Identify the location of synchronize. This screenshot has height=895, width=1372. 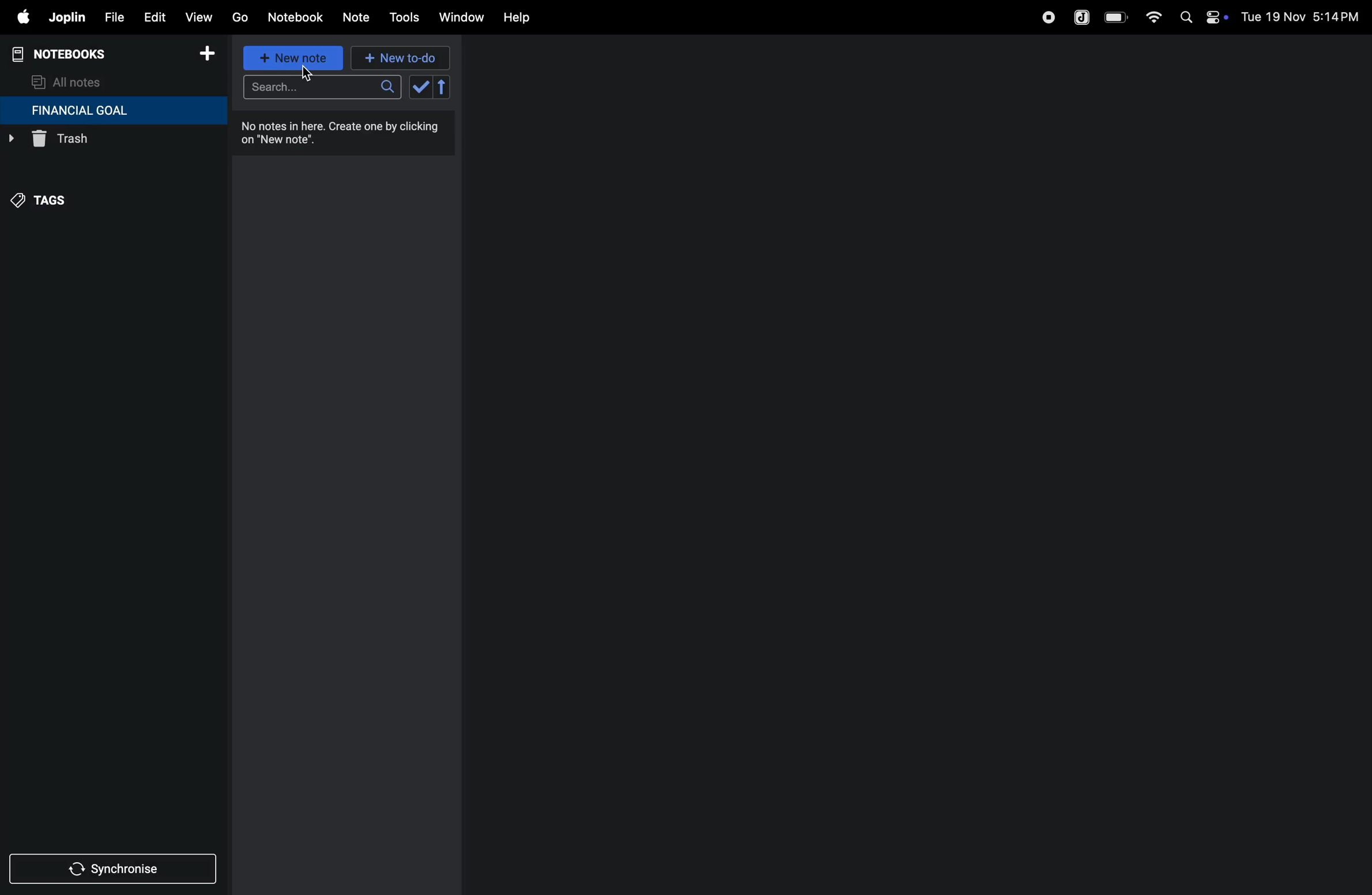
(114, 867).